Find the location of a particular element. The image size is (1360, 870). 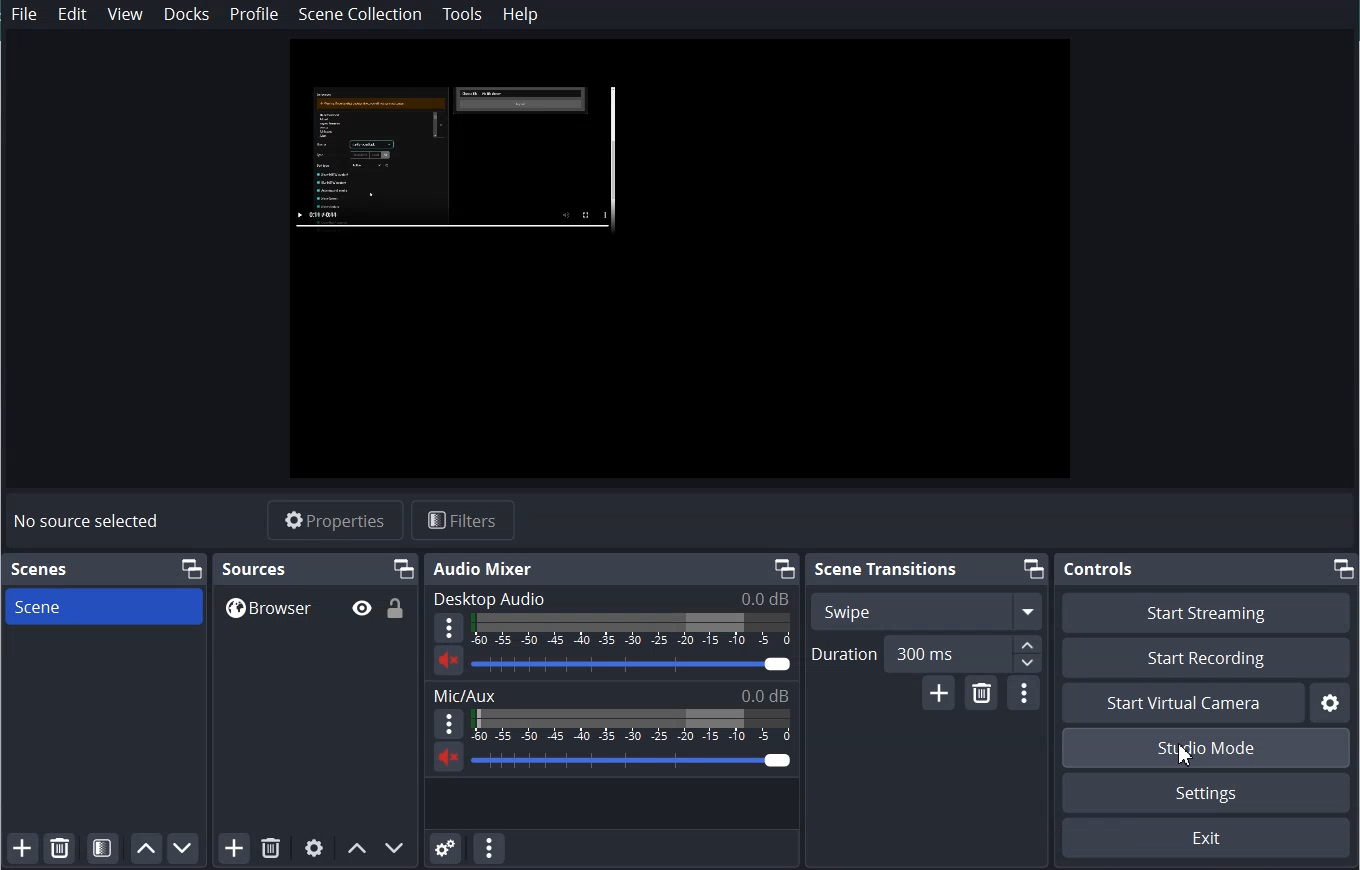

Remove Selected Scene is located at coordinates (60, 847).